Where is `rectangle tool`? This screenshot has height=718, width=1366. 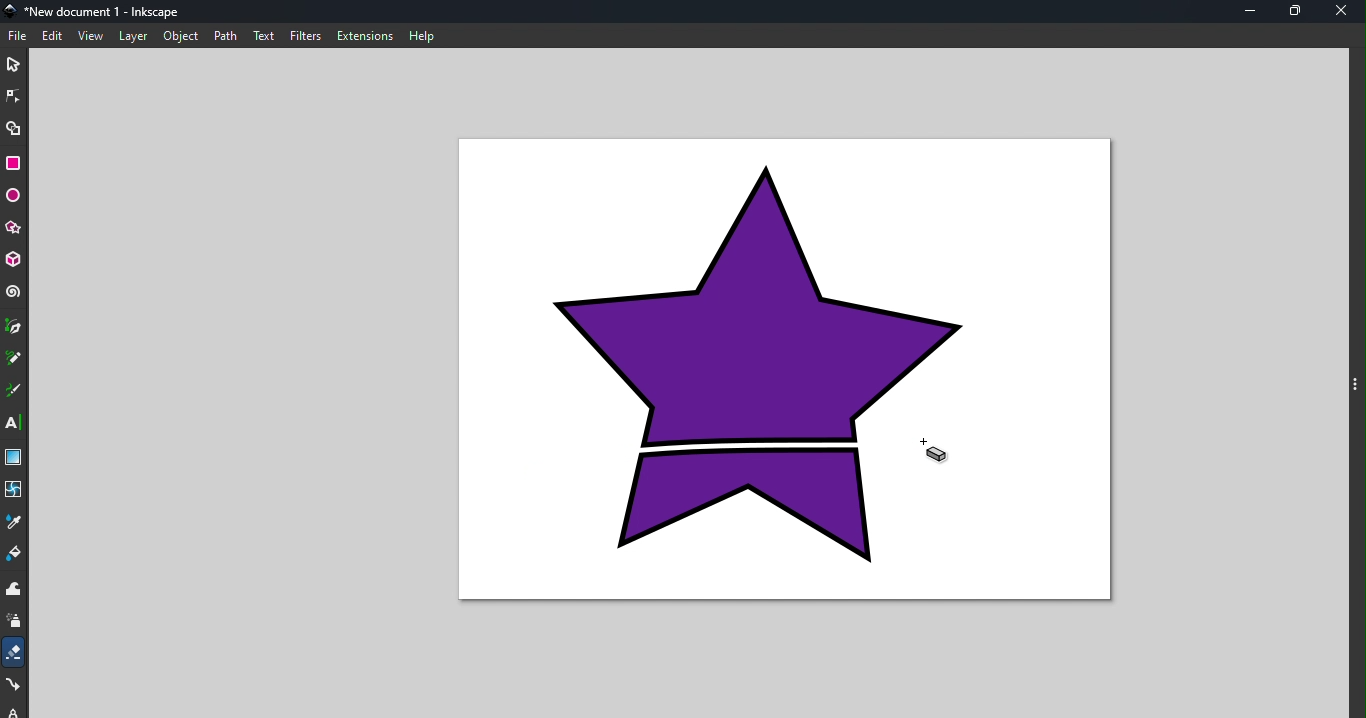 rectangle tool is located at coordinates (14, 162).